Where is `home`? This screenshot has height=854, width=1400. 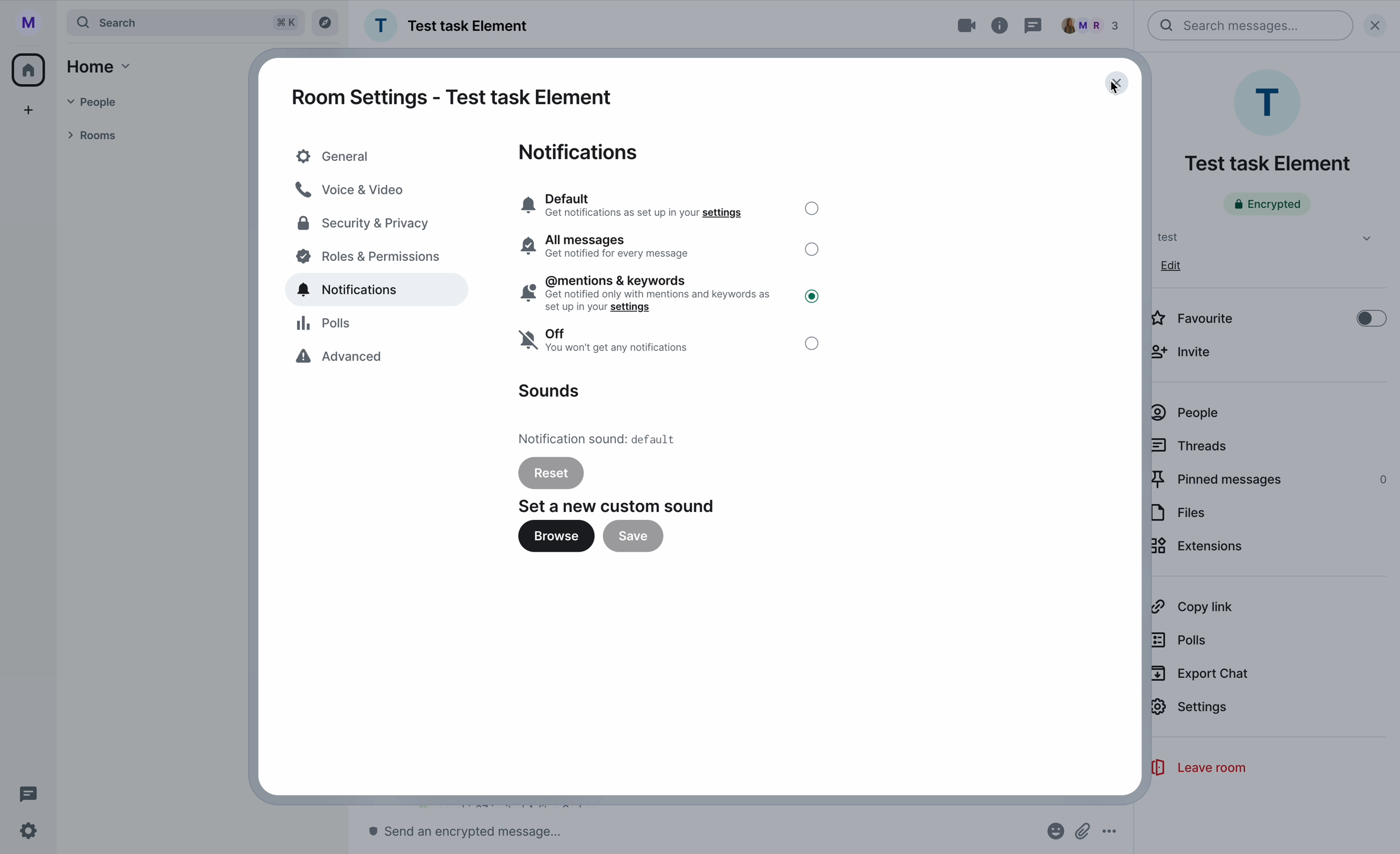 home is located at coordinates (101, 66).